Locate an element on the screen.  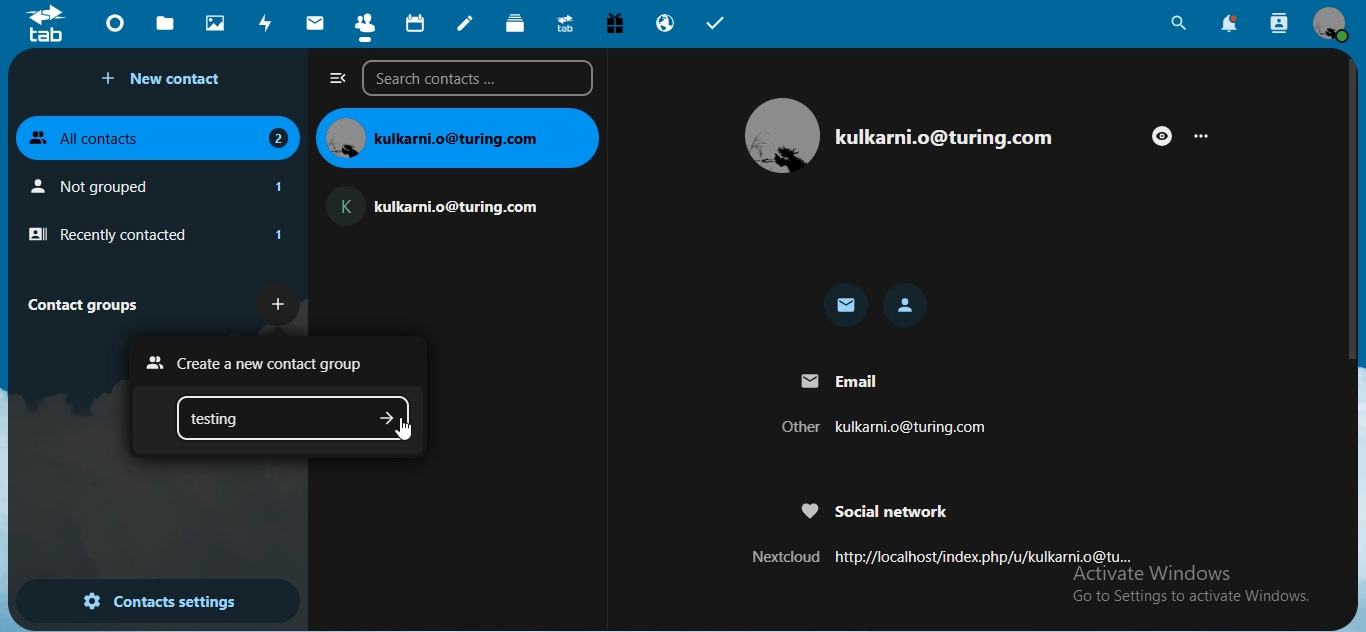
calendar is located at coordinates (417, 24).